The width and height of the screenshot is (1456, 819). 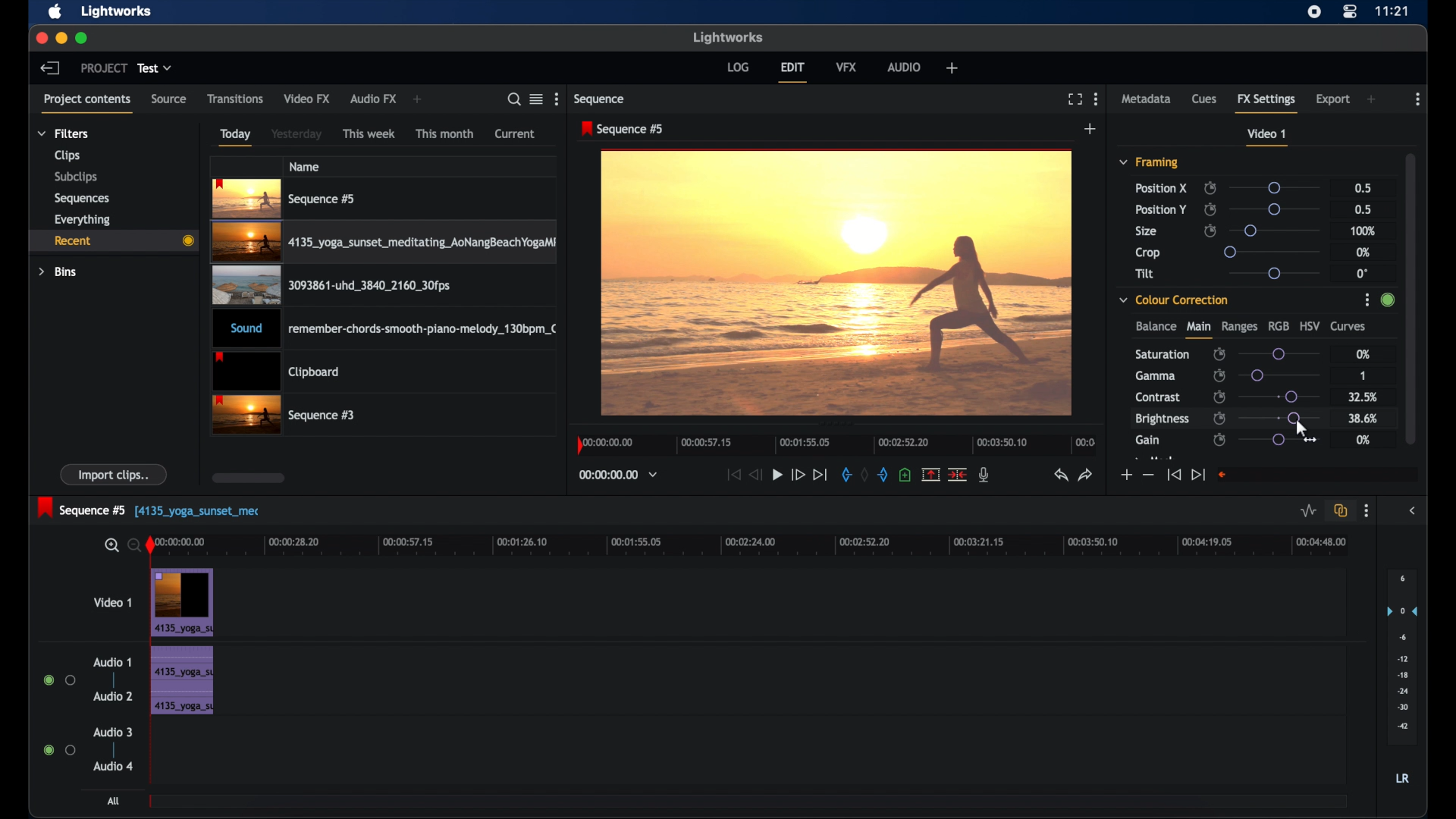 I want to click on toggle auto track sync, so click(x=1341, y=511).